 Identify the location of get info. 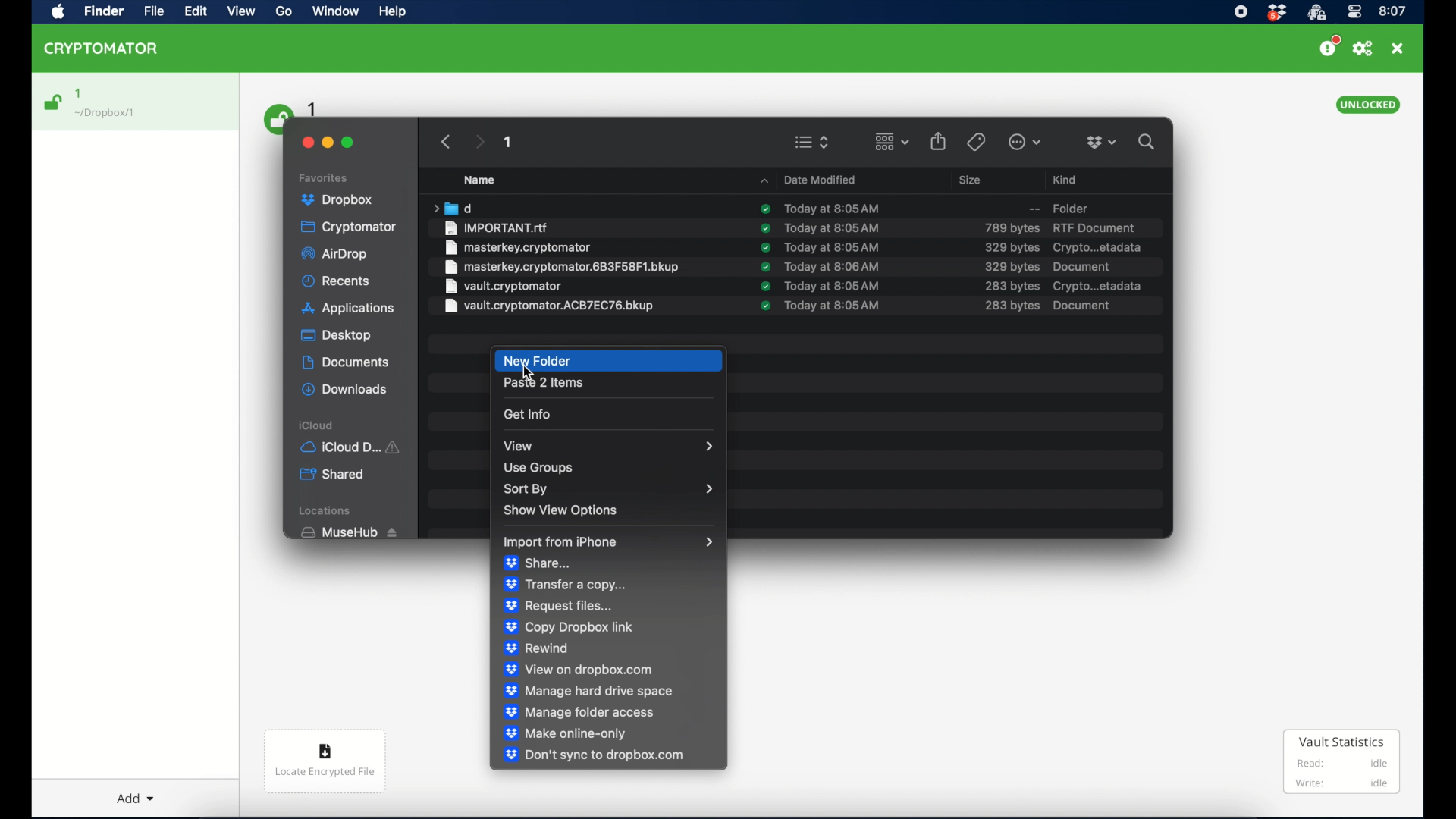
(527, 414).